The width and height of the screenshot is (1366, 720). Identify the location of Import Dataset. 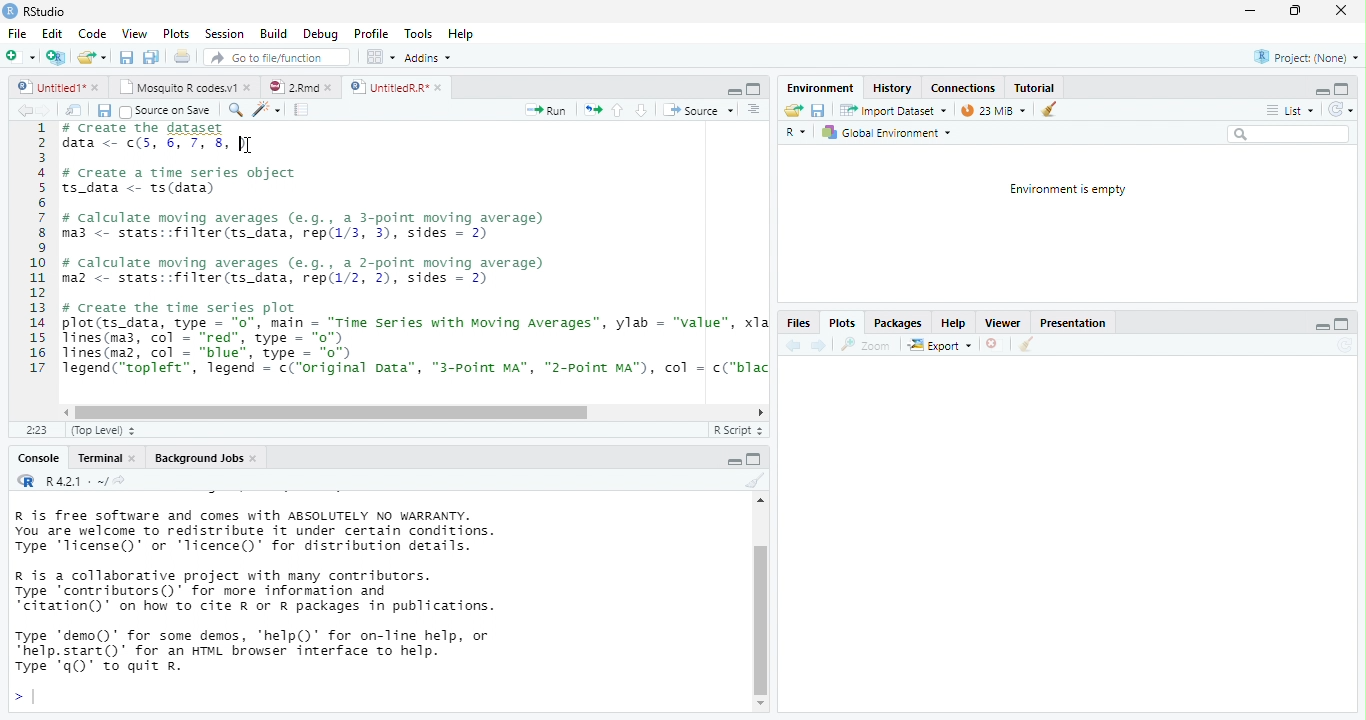
(895, 110).